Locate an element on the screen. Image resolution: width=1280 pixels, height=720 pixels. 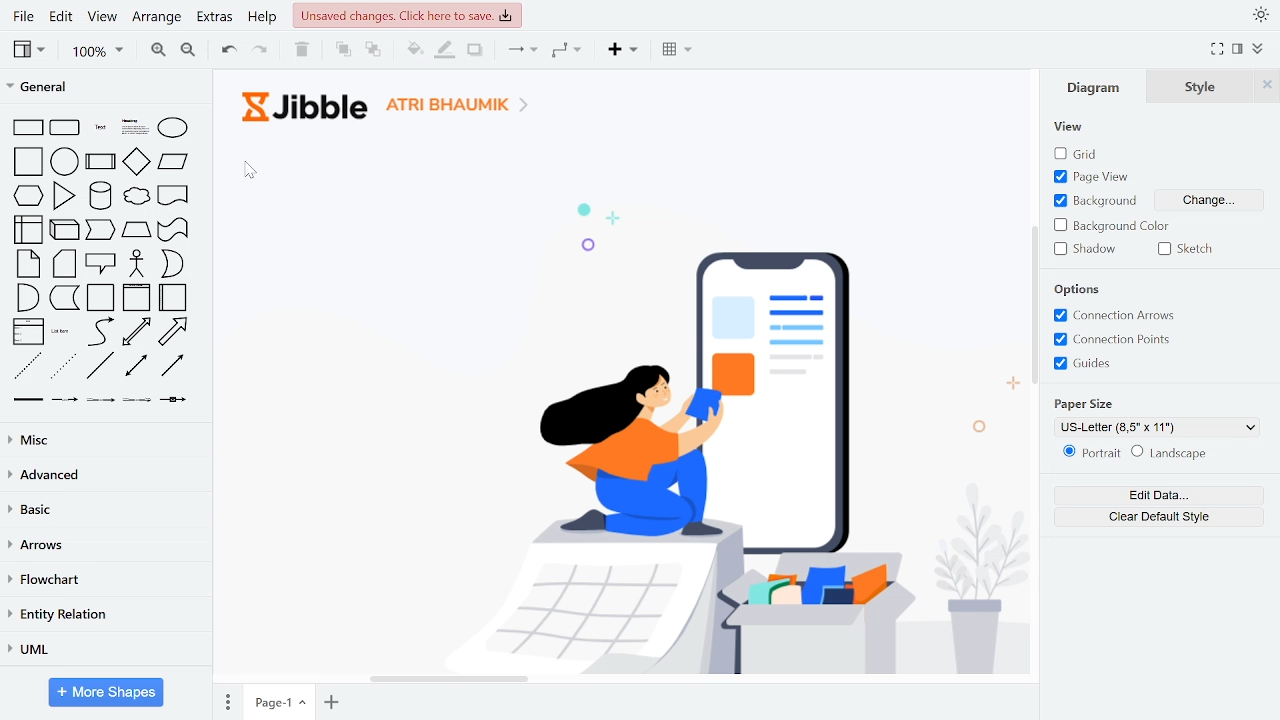
general shapes is located at coordinates (101, 296).